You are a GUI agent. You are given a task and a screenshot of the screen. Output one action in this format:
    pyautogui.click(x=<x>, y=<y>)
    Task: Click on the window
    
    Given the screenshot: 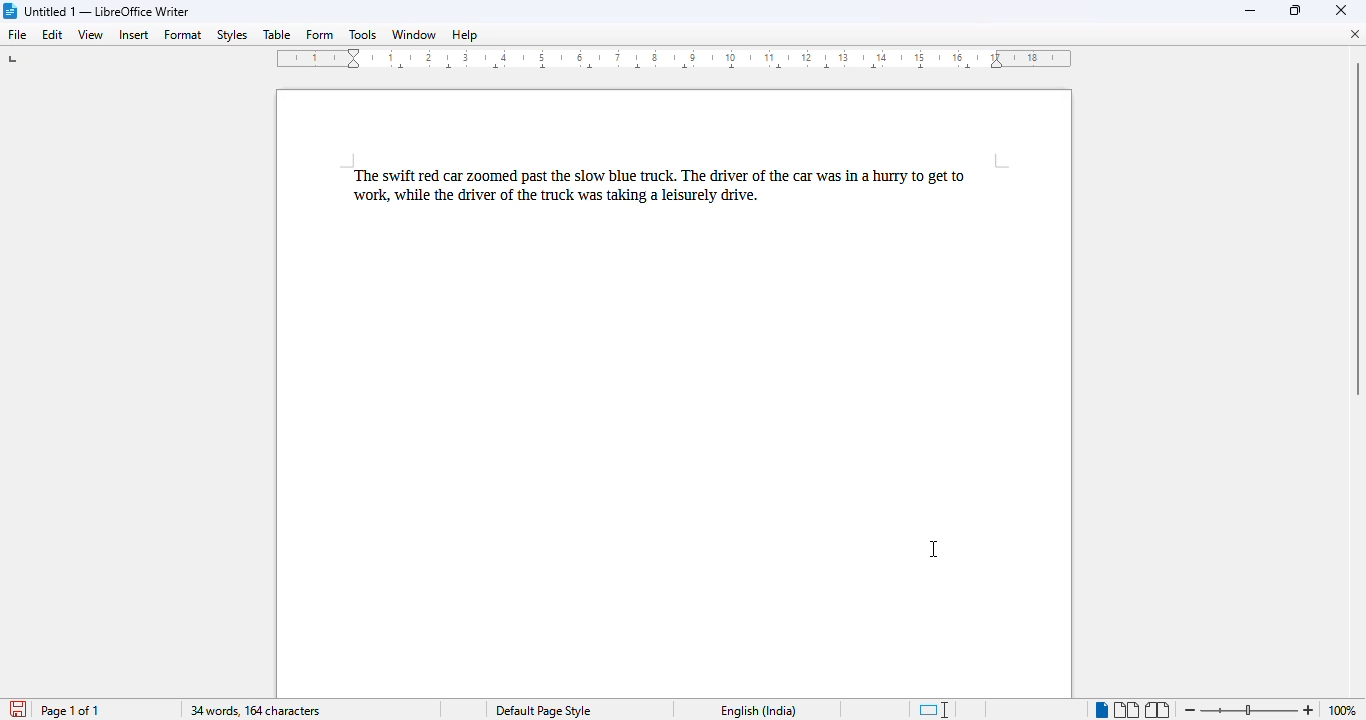 What is the action you would take?
    pyautogui.click(x=413, y=35)
    